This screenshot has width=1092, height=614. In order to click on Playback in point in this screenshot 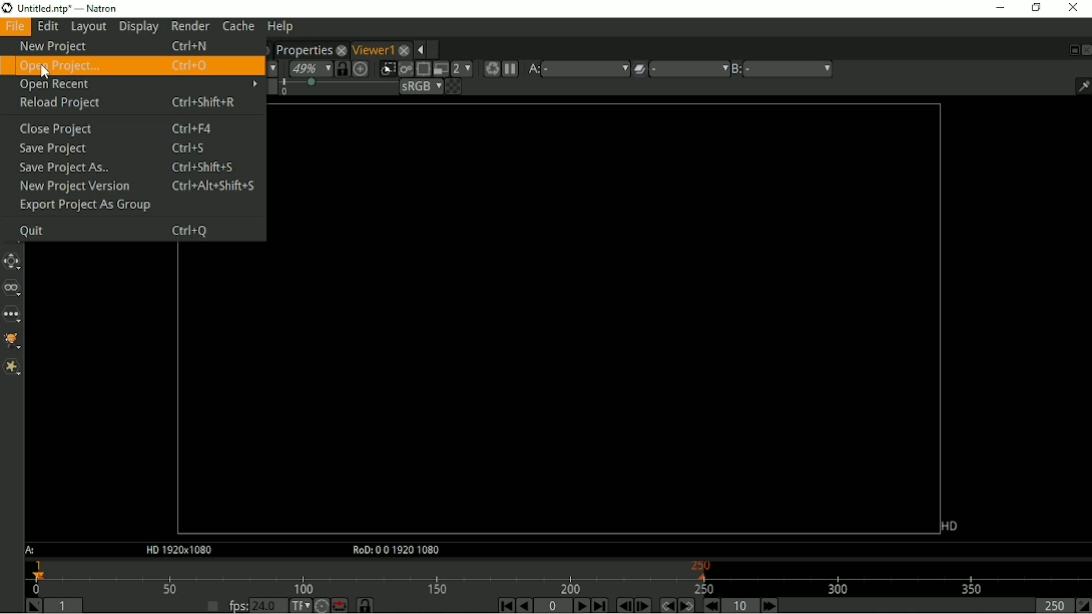, I will do `click(65, 607)`.